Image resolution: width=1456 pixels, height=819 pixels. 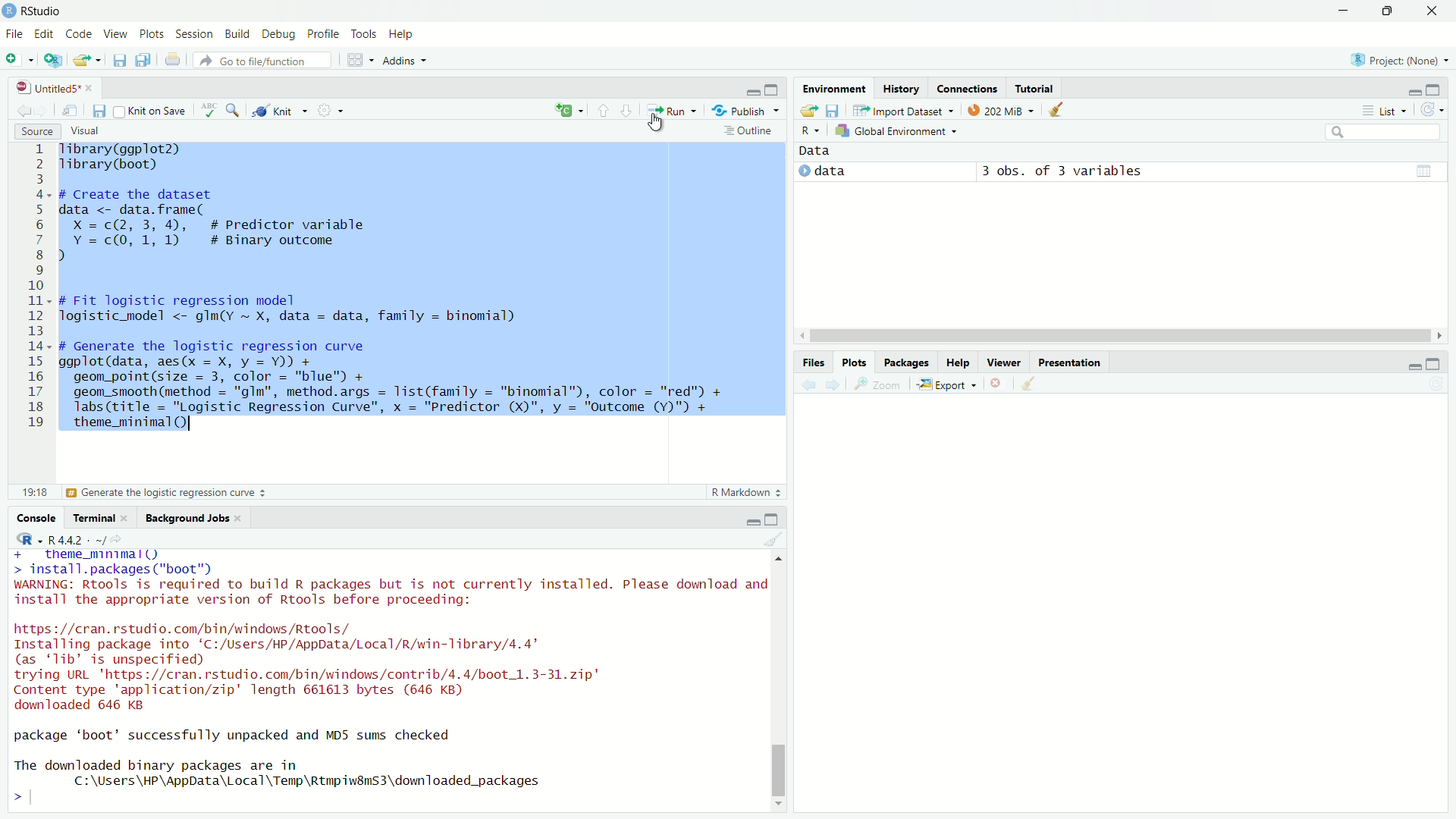 What do you see at coordinates (151, 33) in the screenshot?
I see `Plots` at bounding box center [151, 33].